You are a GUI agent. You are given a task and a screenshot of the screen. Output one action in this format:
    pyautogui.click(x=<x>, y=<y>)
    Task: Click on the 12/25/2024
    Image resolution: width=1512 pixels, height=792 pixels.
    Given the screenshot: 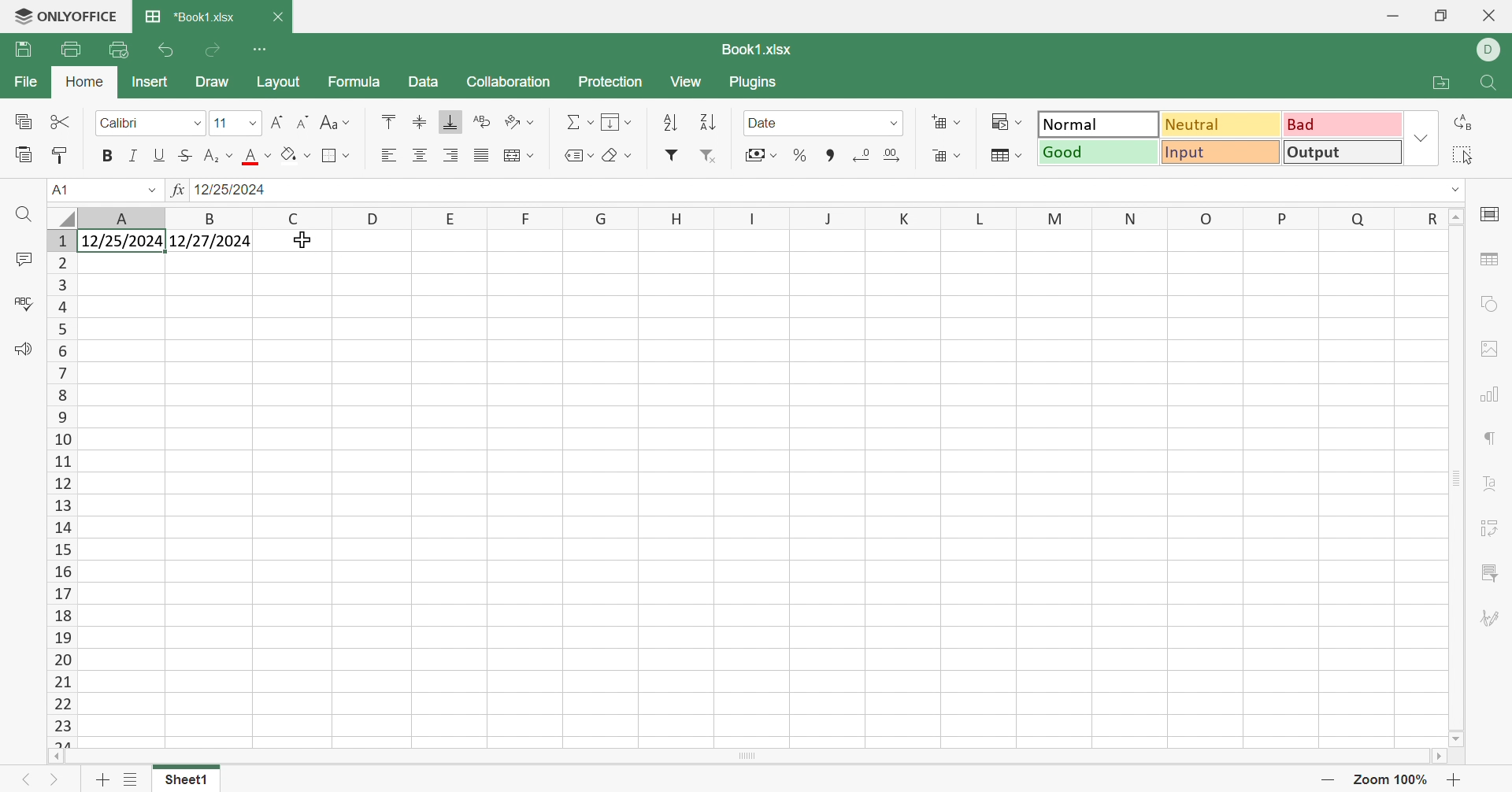 What is the action you would take?
    pyautogui.click(x=237, y=191)
    